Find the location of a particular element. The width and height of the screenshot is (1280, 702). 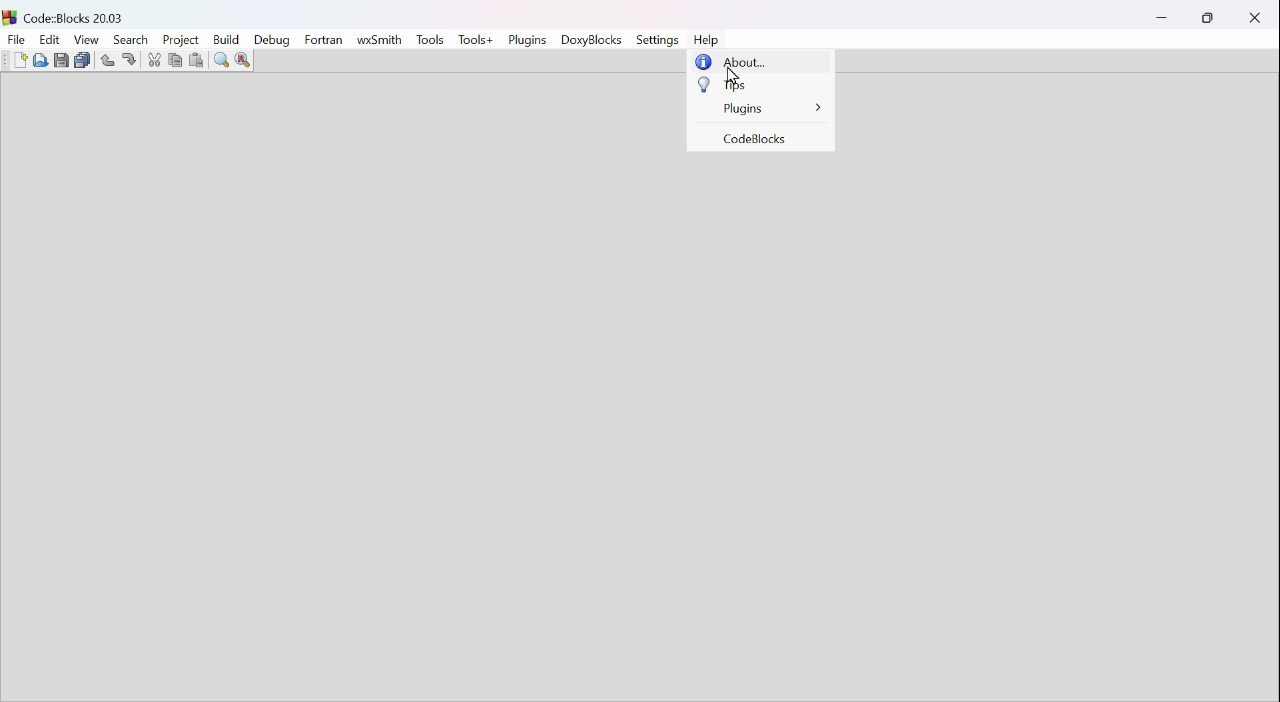

Settings is located at coordinates (659, 39).